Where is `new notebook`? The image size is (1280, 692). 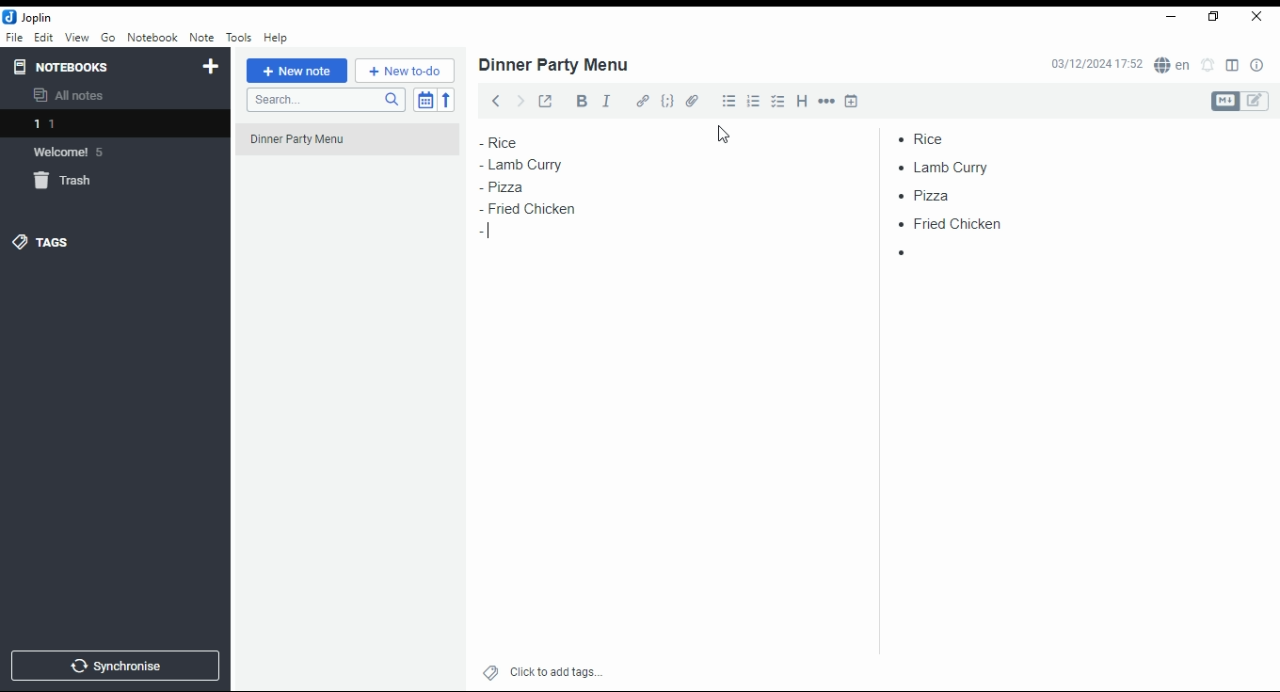
new notebook is located at coordinates (211, 67).